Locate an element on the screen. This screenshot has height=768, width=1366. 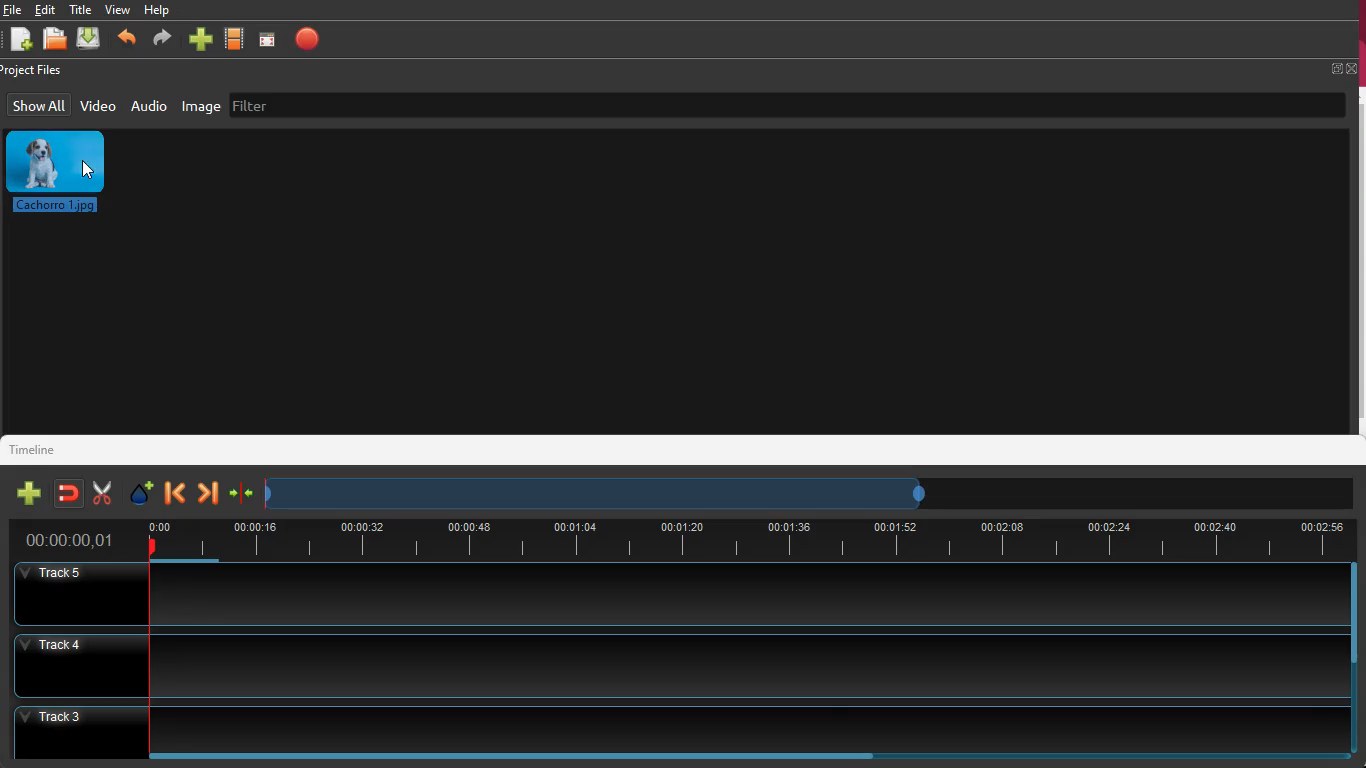
movie is located at coordinates (235, 38).